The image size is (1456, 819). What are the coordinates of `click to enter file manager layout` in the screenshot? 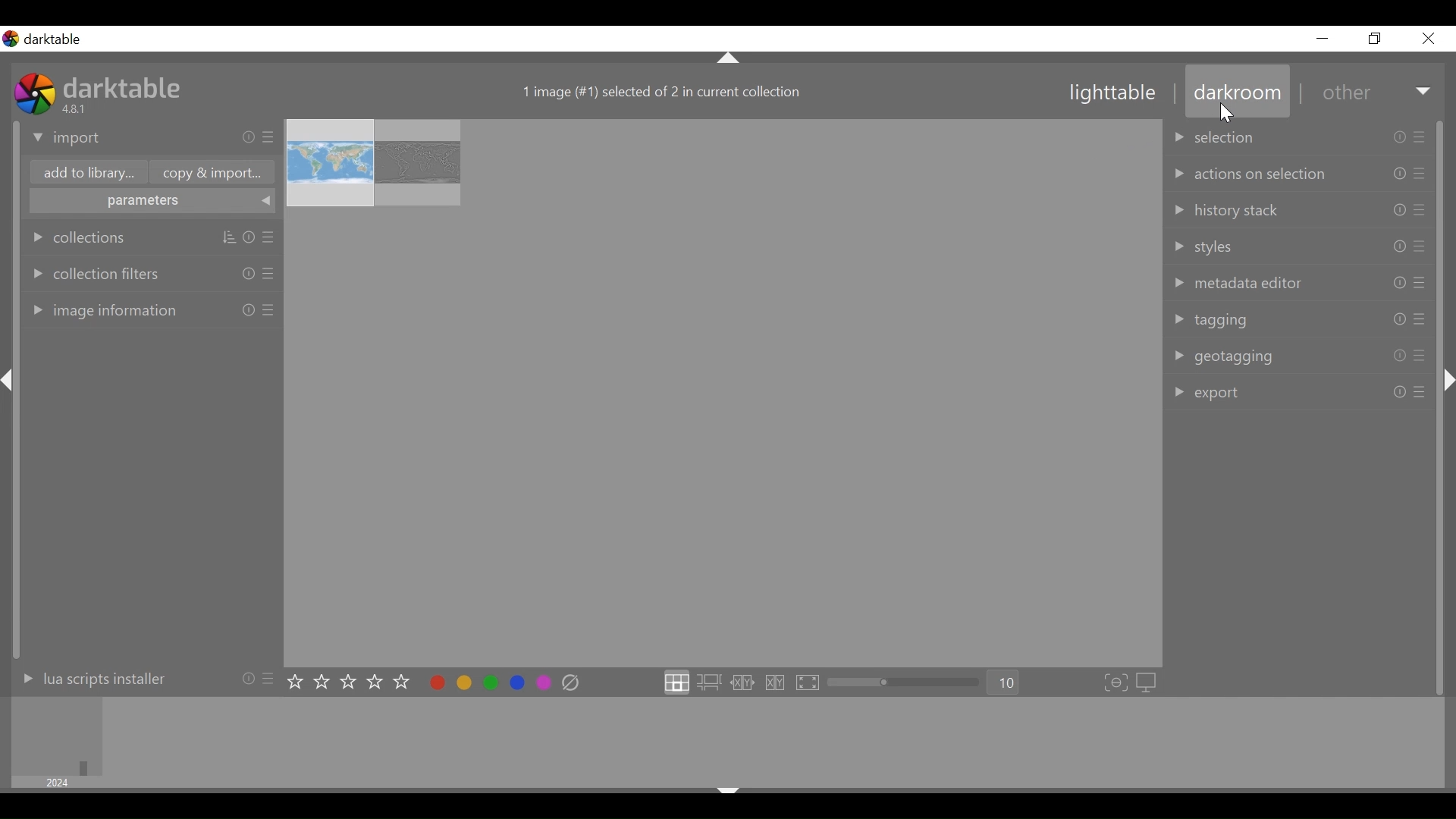 It's located at (676, 682).